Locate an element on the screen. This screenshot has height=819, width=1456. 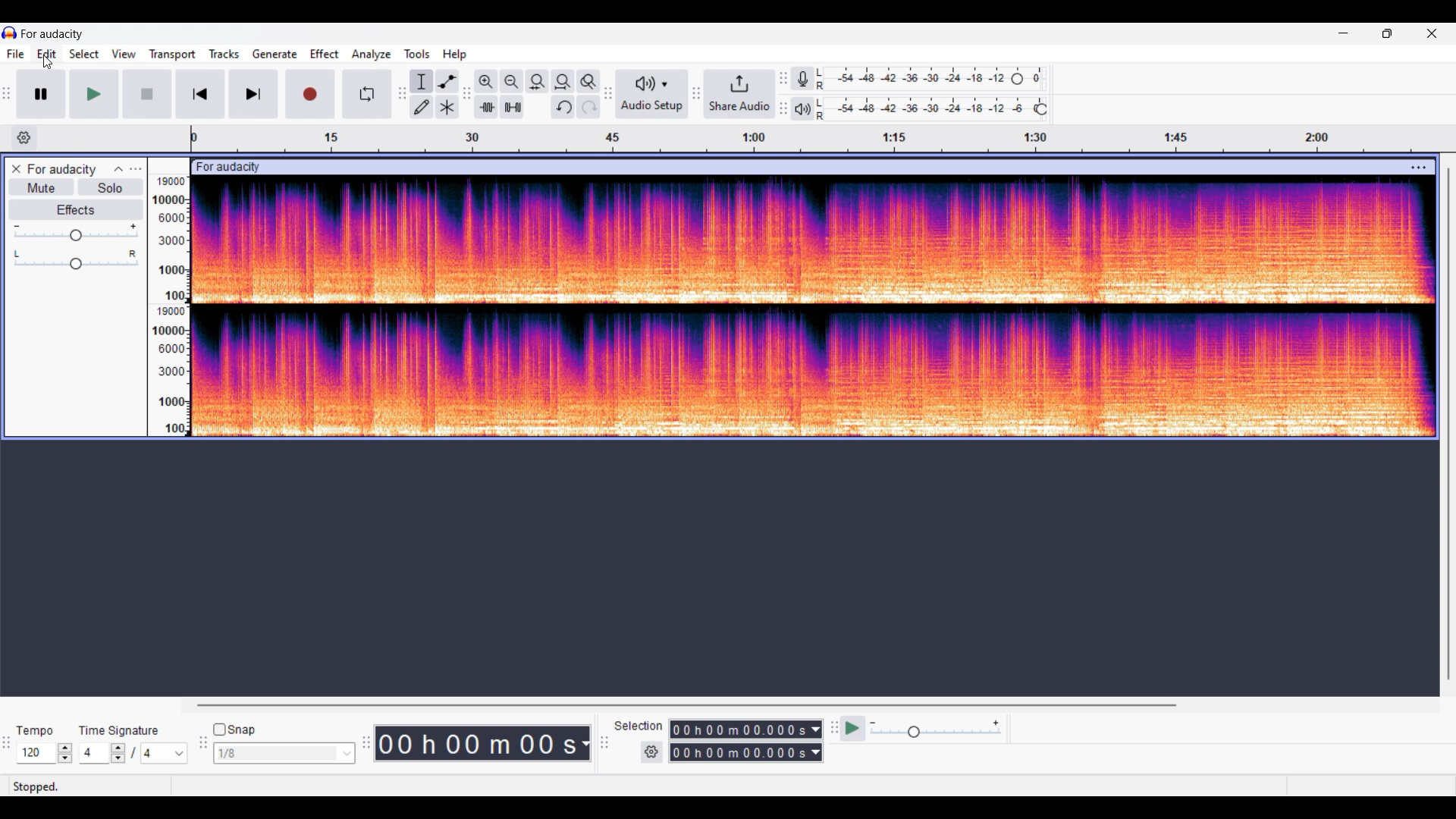
Recording meter is located at coordinates (802, 78).